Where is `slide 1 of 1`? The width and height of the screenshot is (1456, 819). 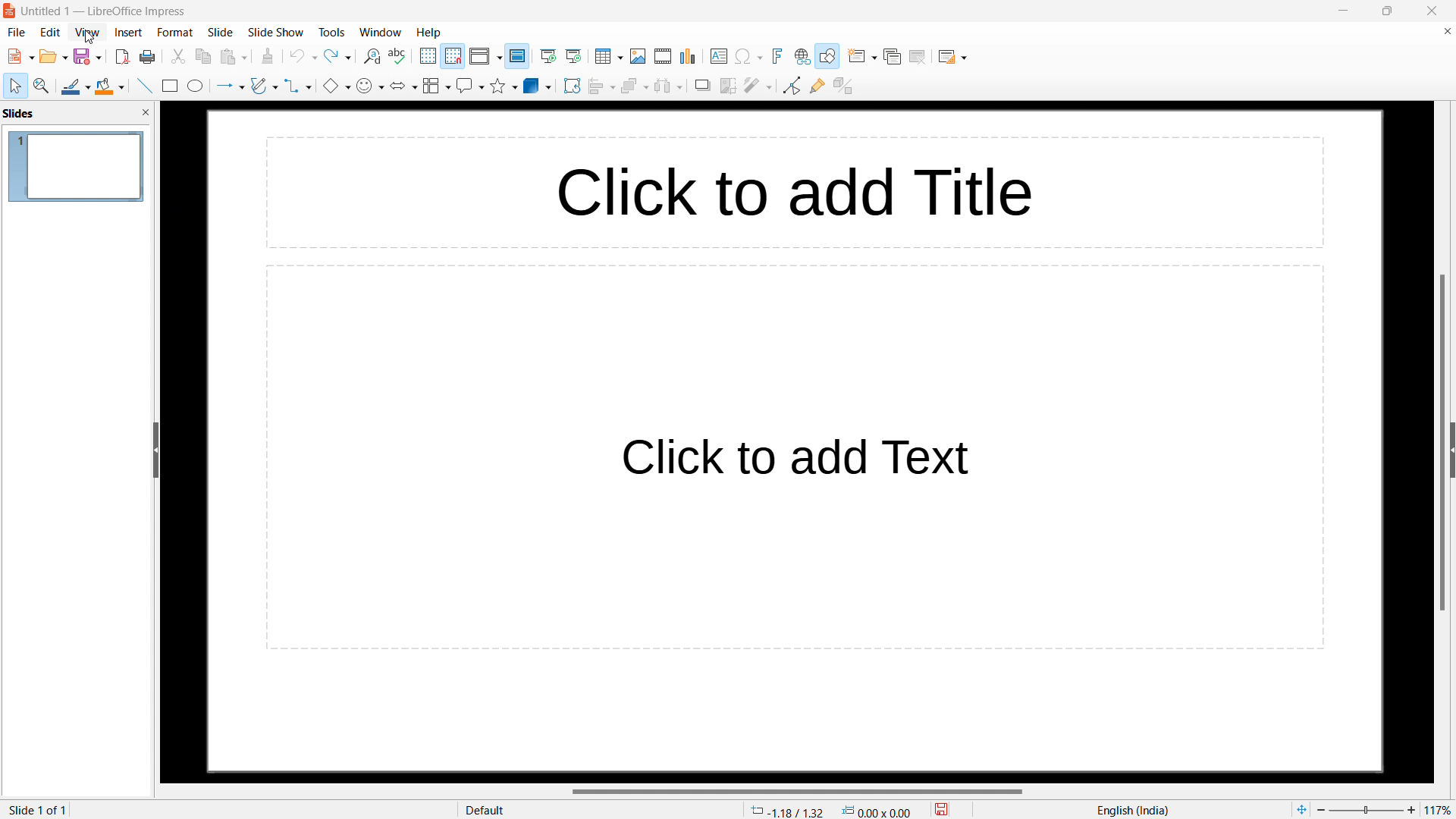 slide 1 of 1 is located at coordinates (37, 810).